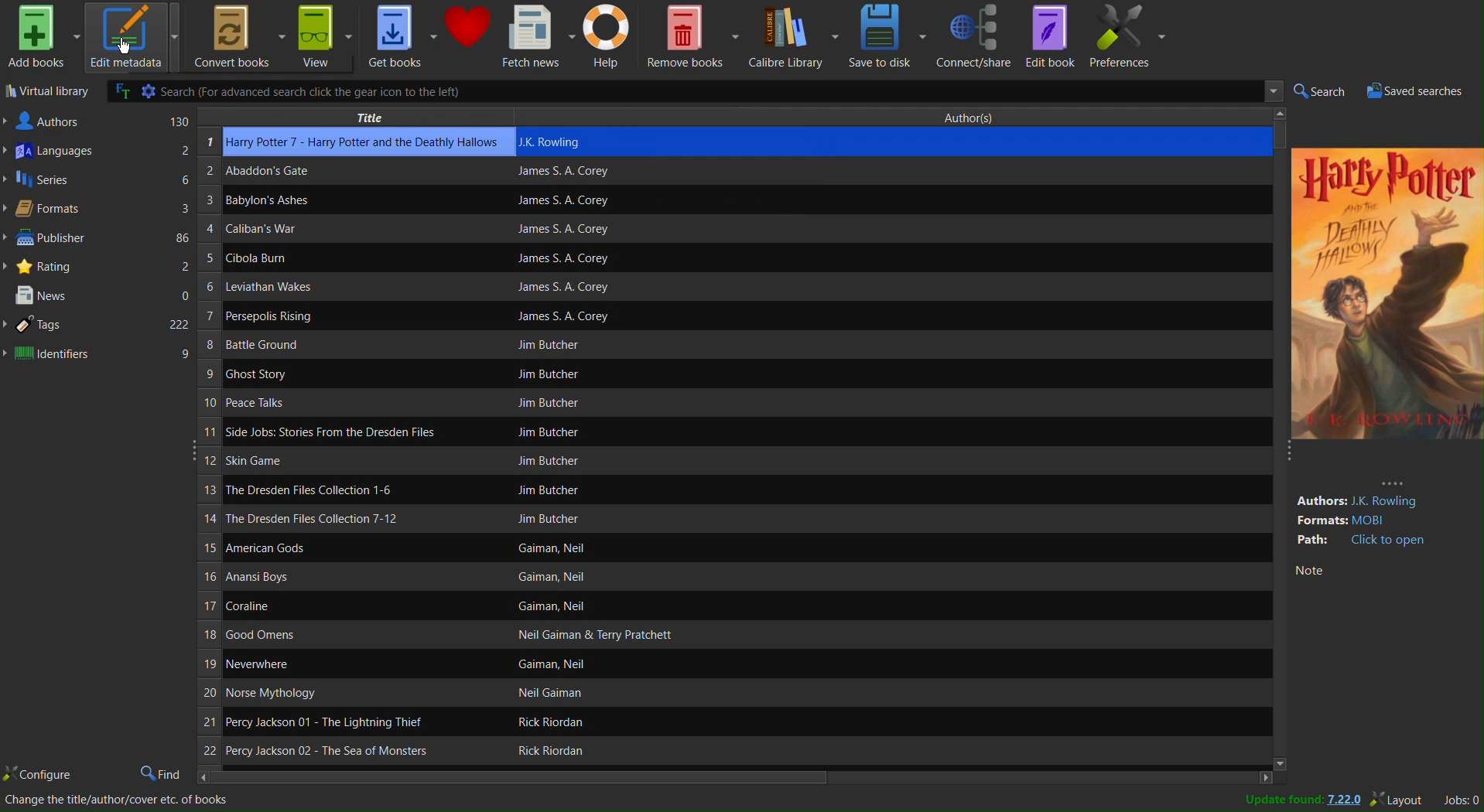  I want to click on Layout, so click(1398, 800).